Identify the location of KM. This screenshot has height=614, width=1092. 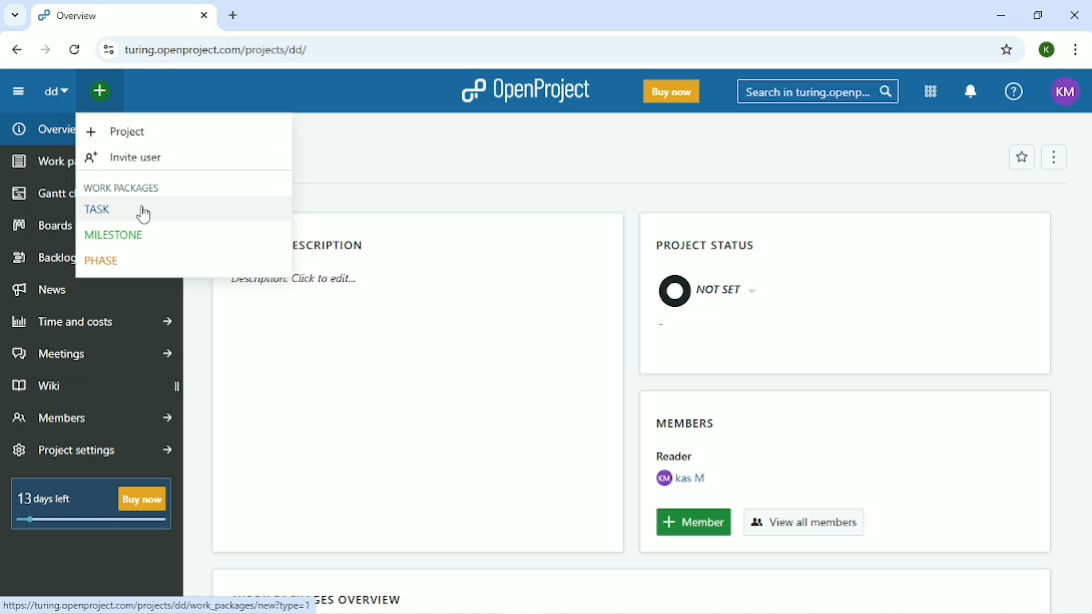
(1067, 91).